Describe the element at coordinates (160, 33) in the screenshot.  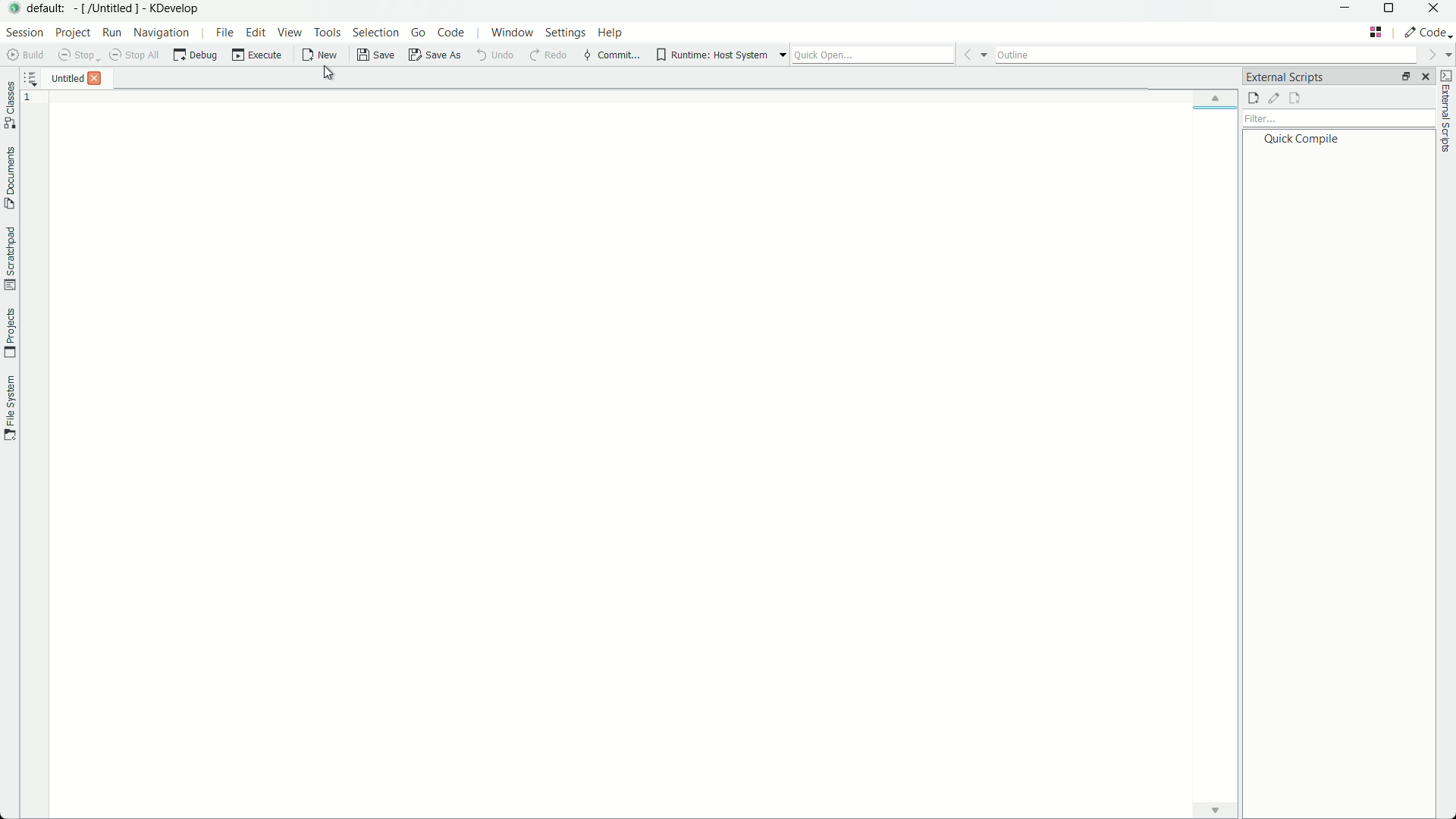
I see `navigation menu` at that location.